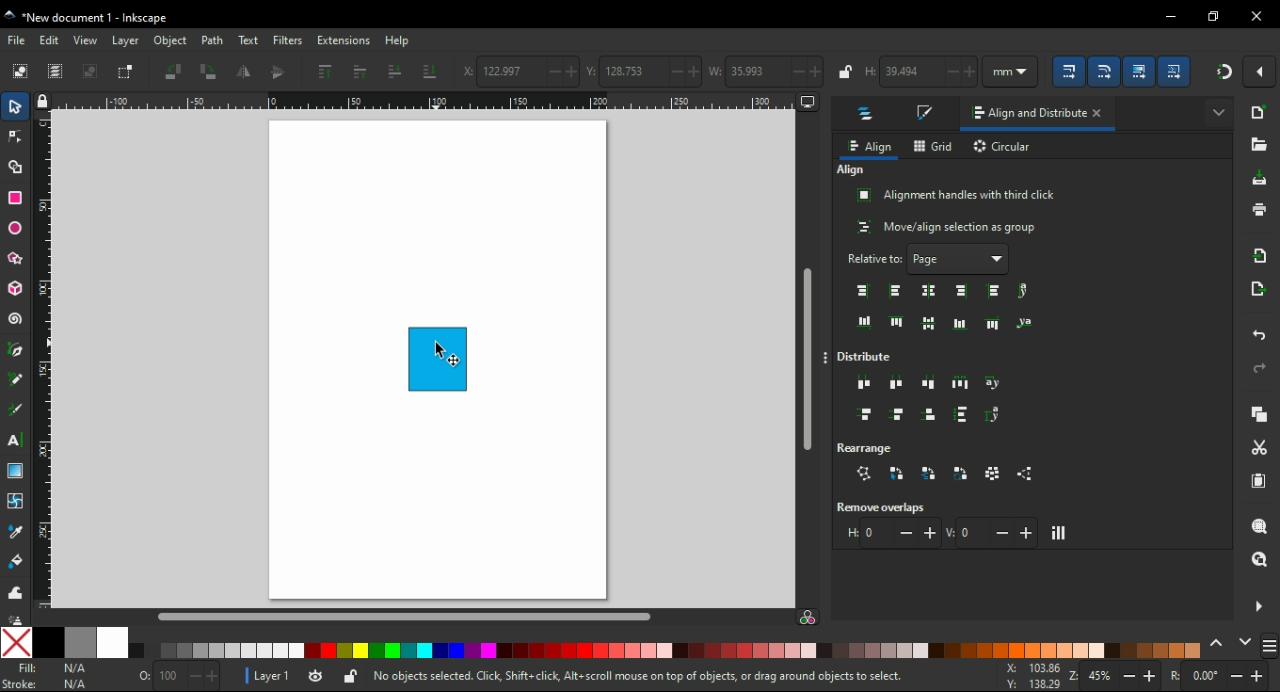  What do you see at coordinates (126, 72) in the screenshot?
I see `toggle selection box to select all touched objects` at bounding box center [126, 72].